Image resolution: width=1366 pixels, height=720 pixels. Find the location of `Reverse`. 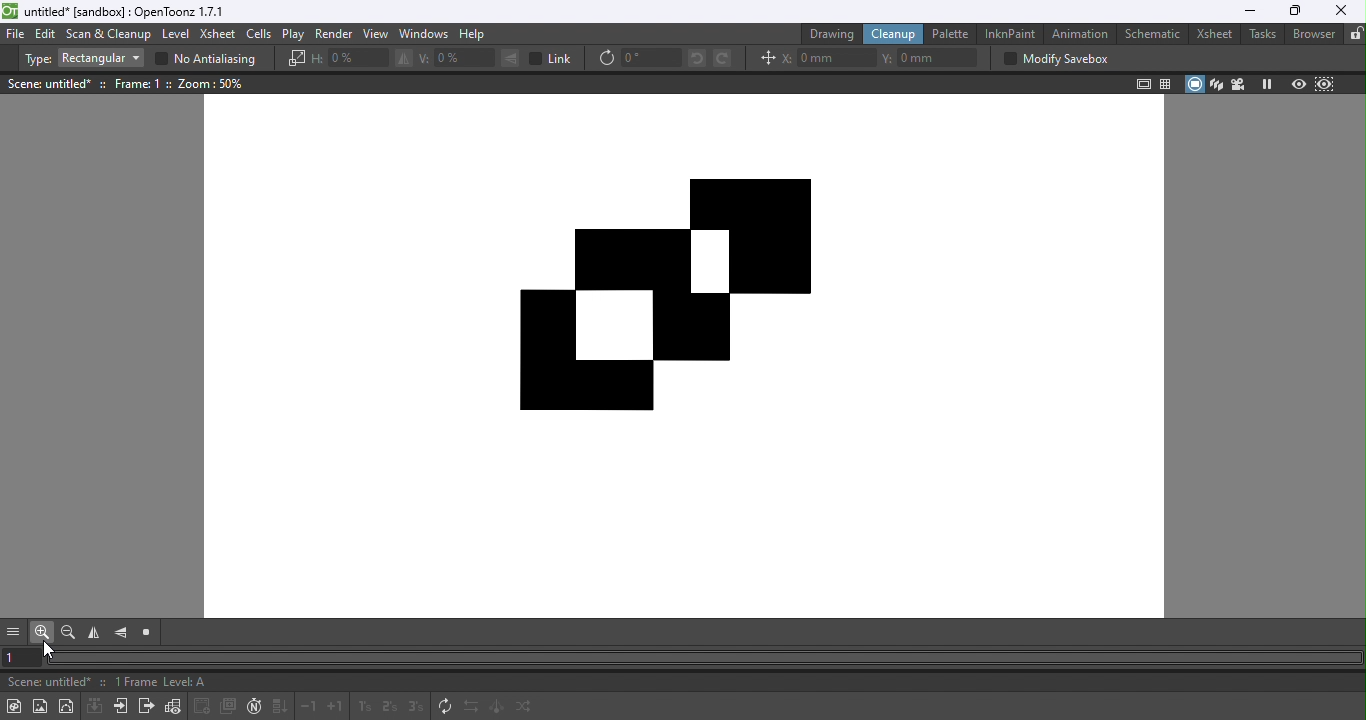

Reverse is located at coordinates (471, 708).